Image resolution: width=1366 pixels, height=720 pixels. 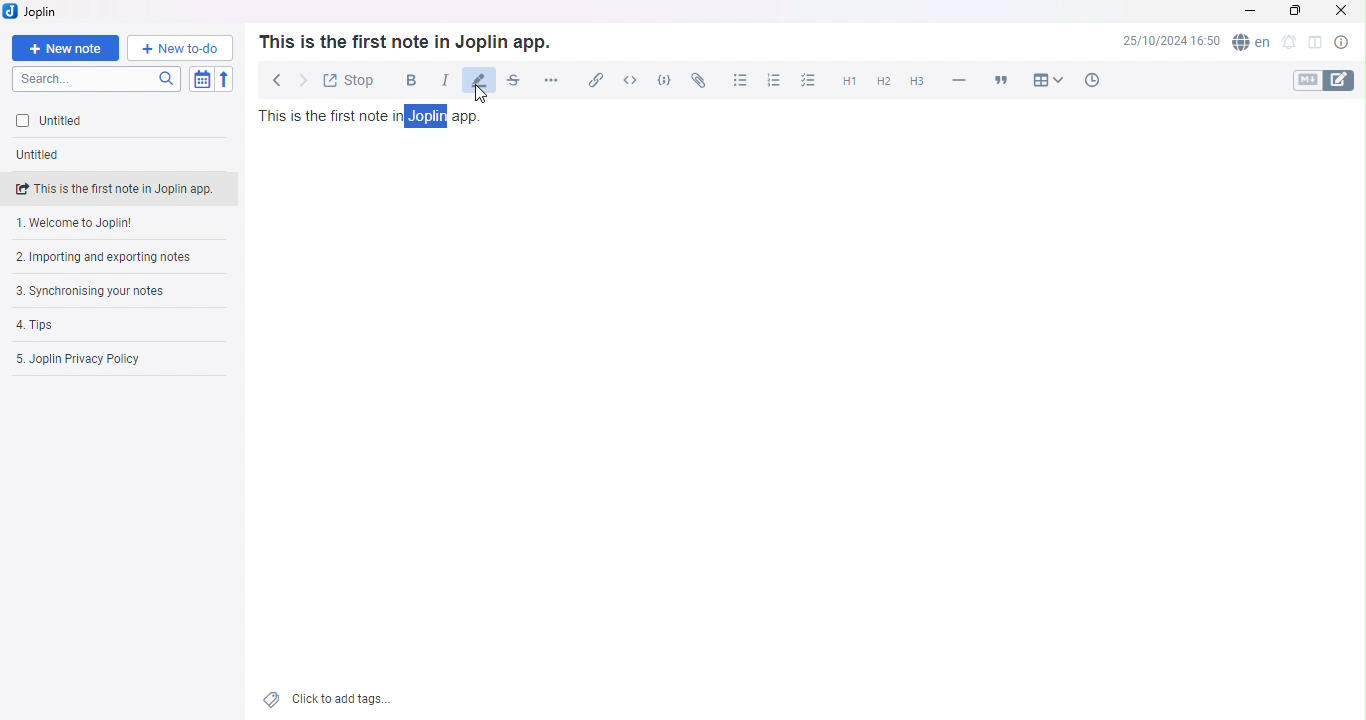 I want to click on Minimize, so click(x=1252, y=12).